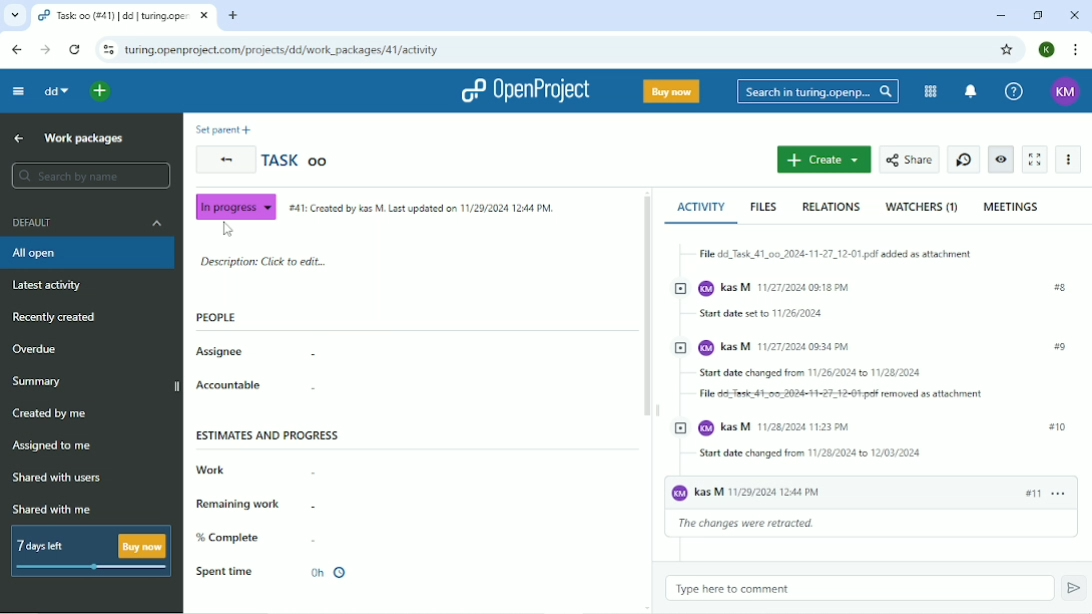  What do you see at coordinates (763, 208) in the screenshot?
I see `Files` at bounding box center [763, 208].